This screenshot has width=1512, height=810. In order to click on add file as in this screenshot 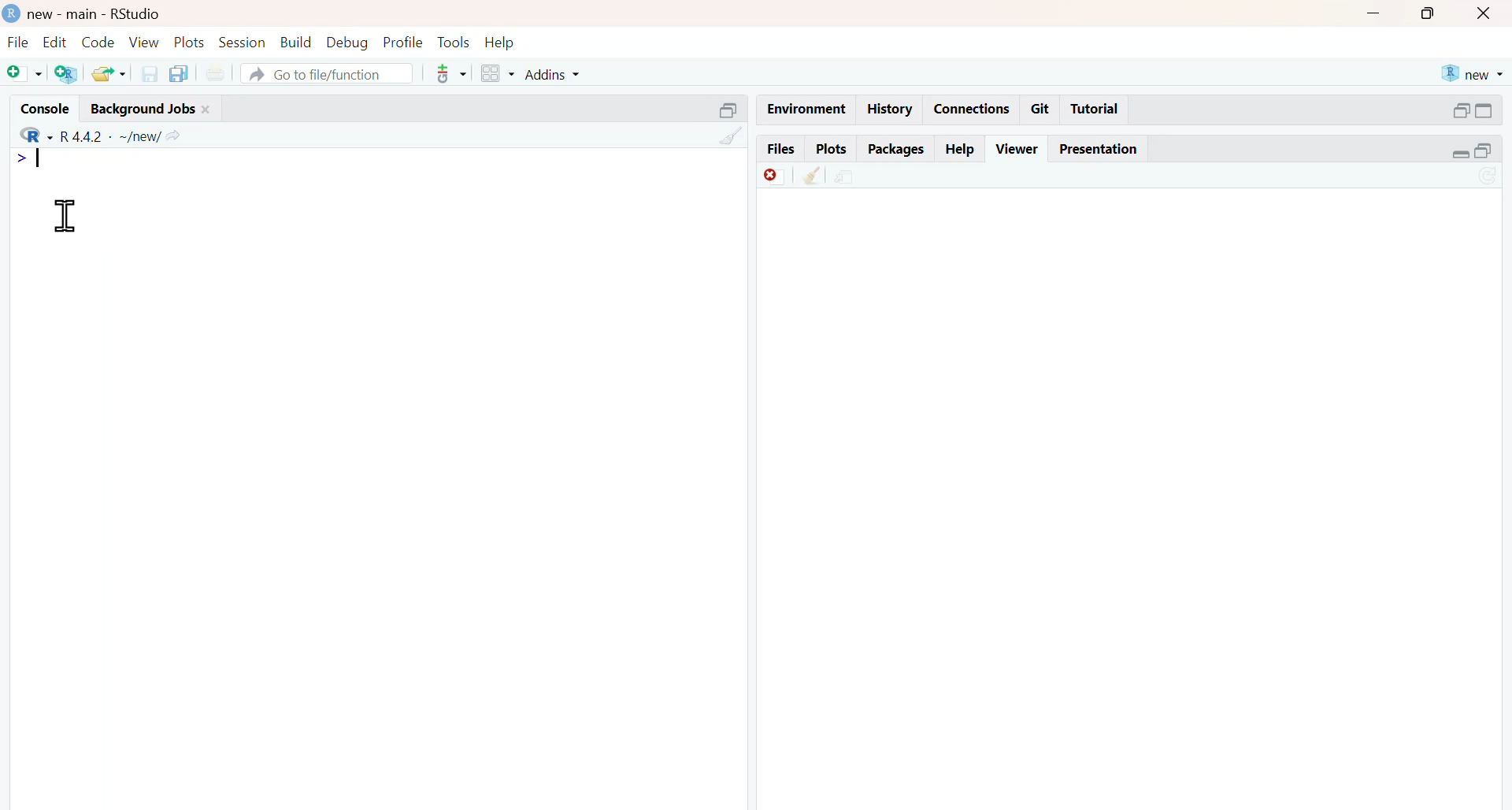, I will do `click(25, 74)`.